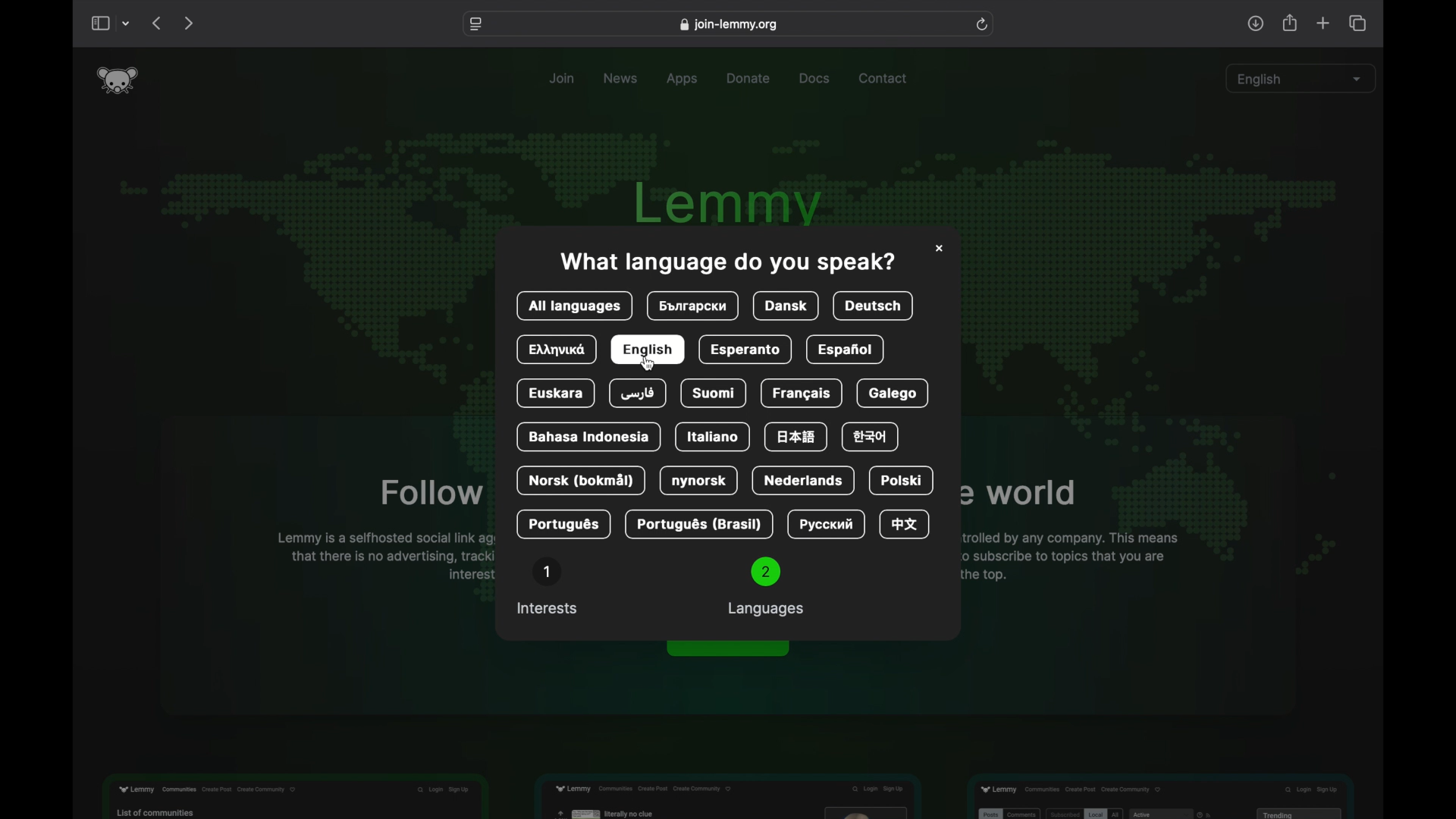  What do you see at coordinates (883, 79) in the screenshot?
I see `contact` at bounding box center [883, 79].